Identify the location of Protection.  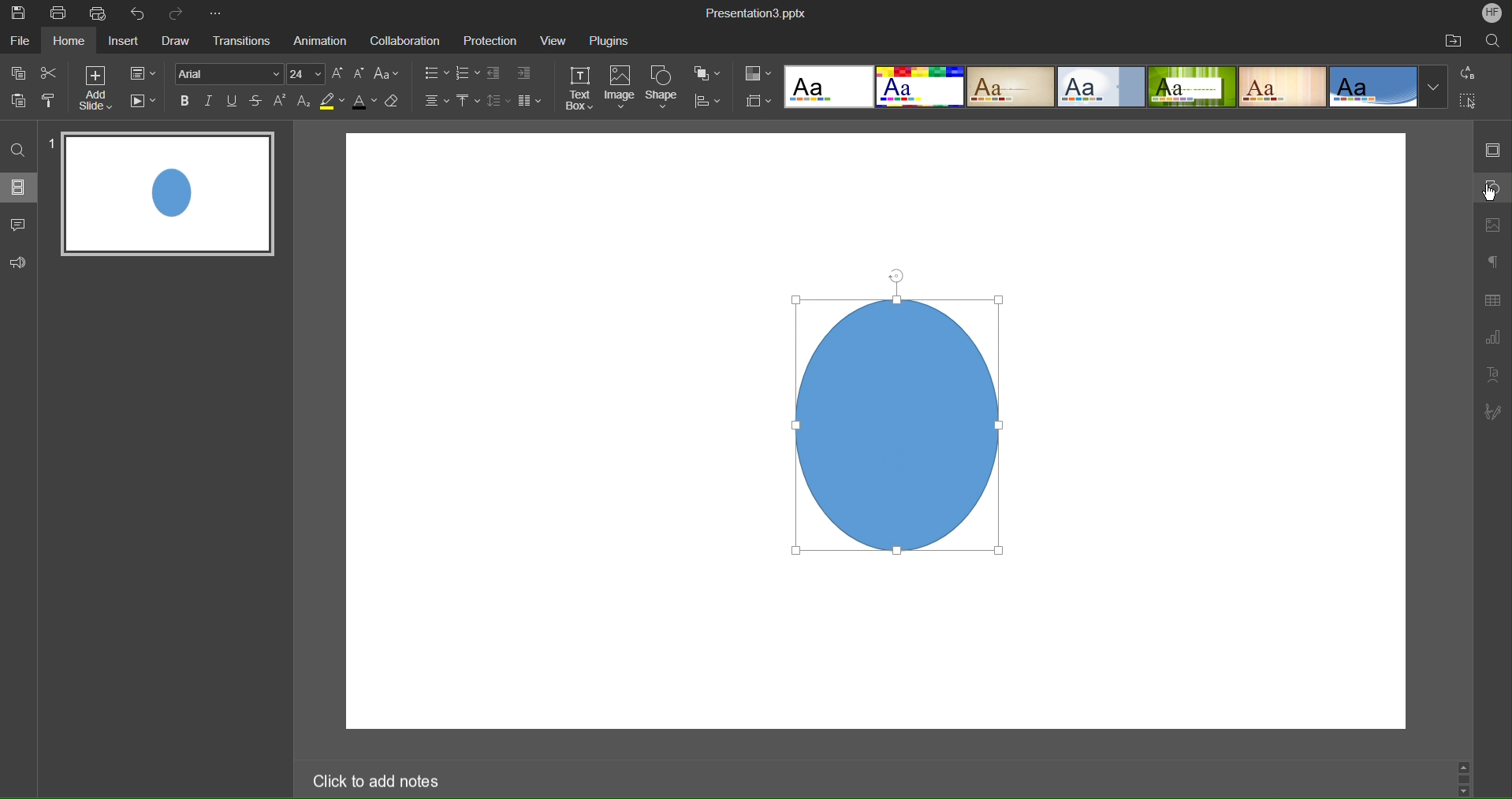
(492, 40).